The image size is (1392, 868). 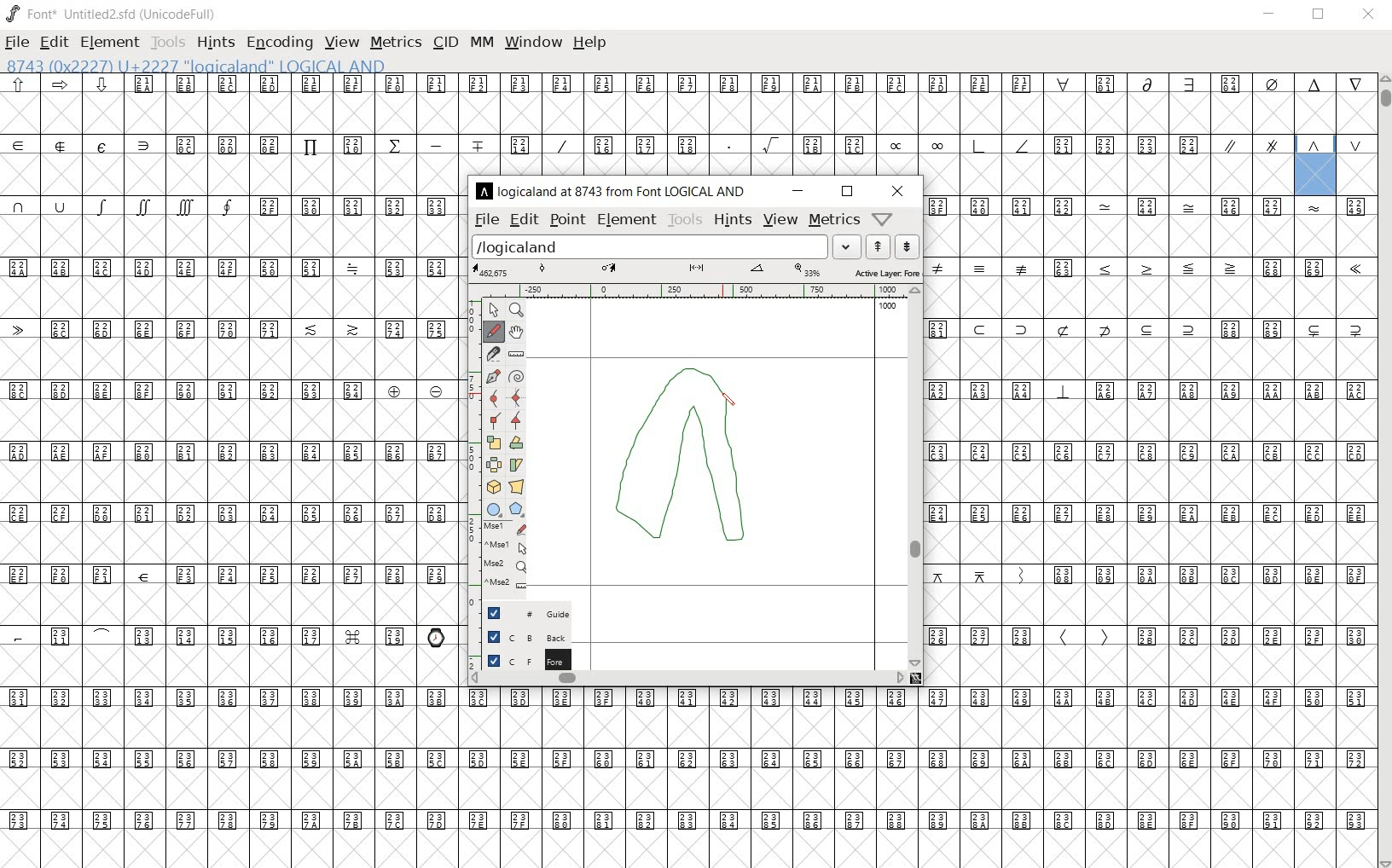 I want to click on tools, so click(x=169, y=42).